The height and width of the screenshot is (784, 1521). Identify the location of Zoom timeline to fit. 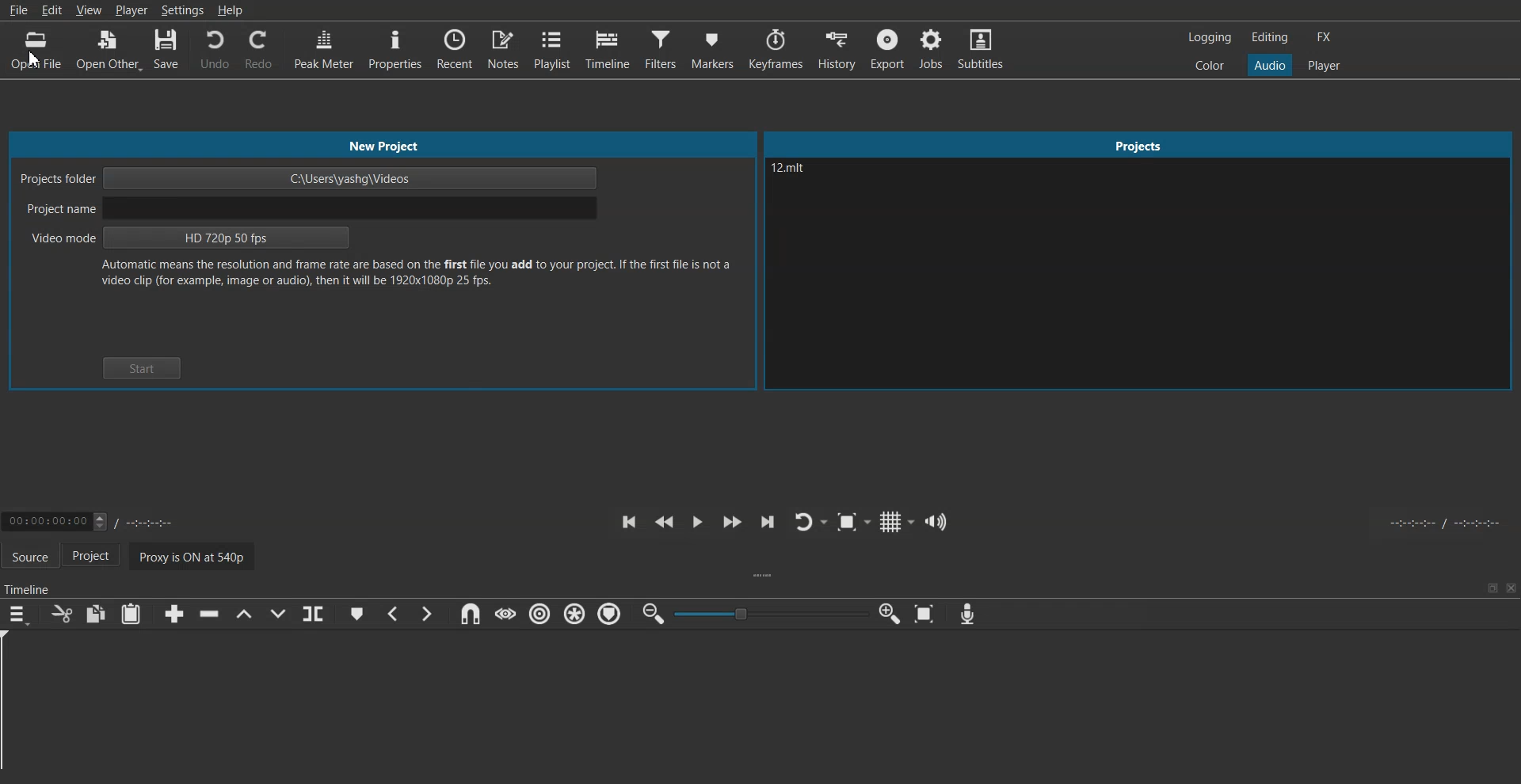
(927, 614).